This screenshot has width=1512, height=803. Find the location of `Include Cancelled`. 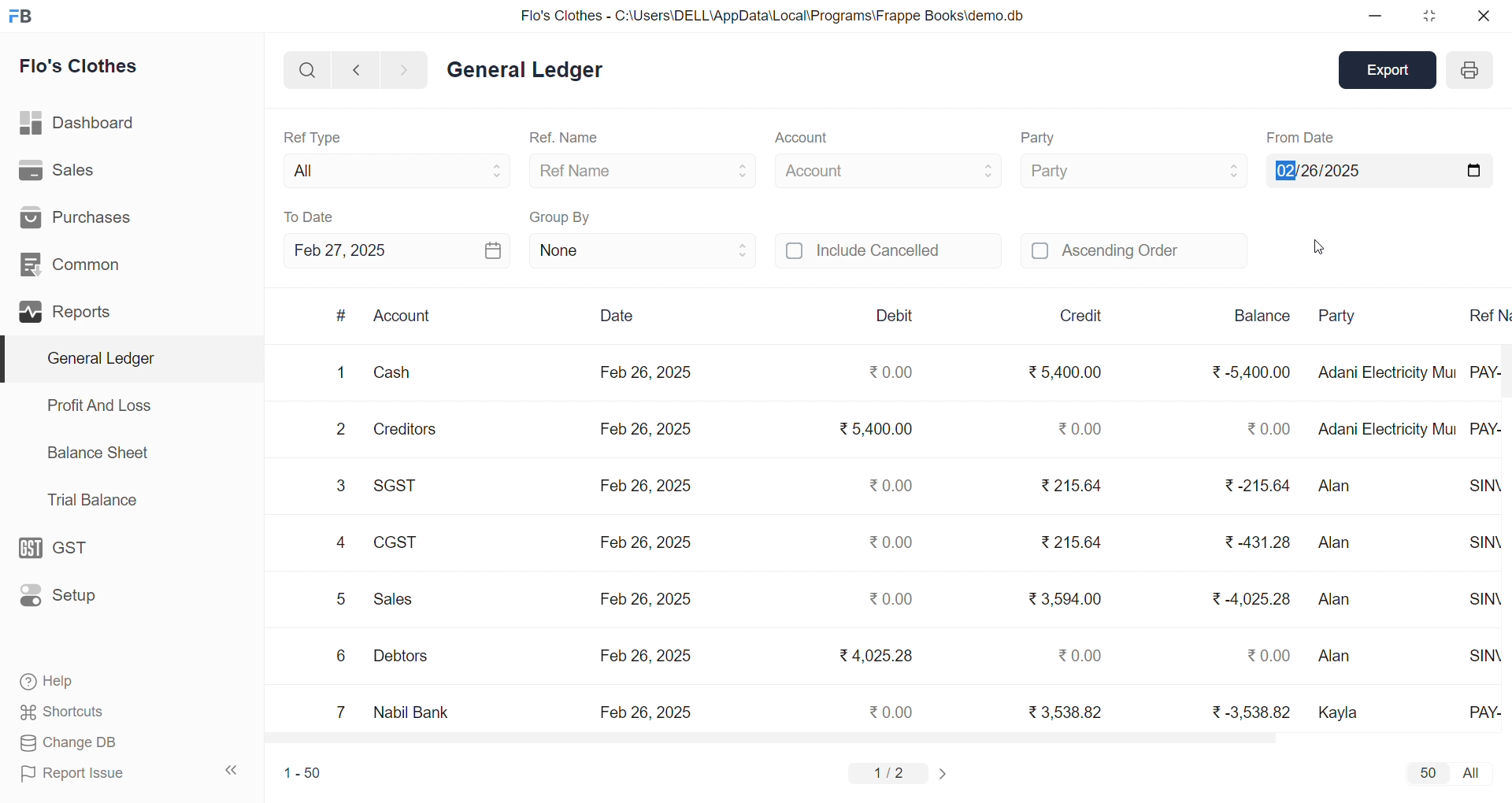

Include Cancelled is located at coordinates (888, 252).